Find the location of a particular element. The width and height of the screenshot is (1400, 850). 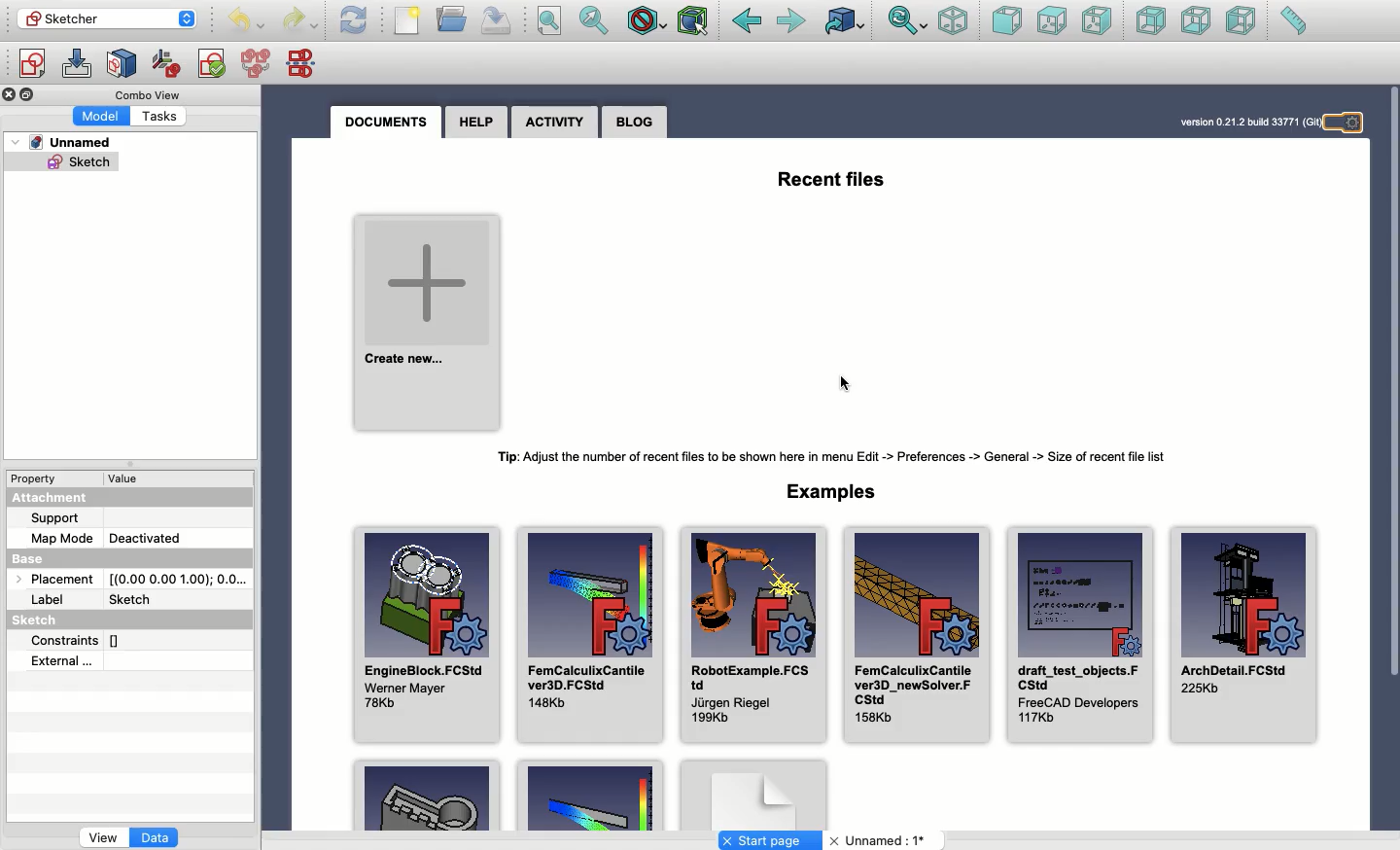

Label Sketch is located at coordinates (101, 600).